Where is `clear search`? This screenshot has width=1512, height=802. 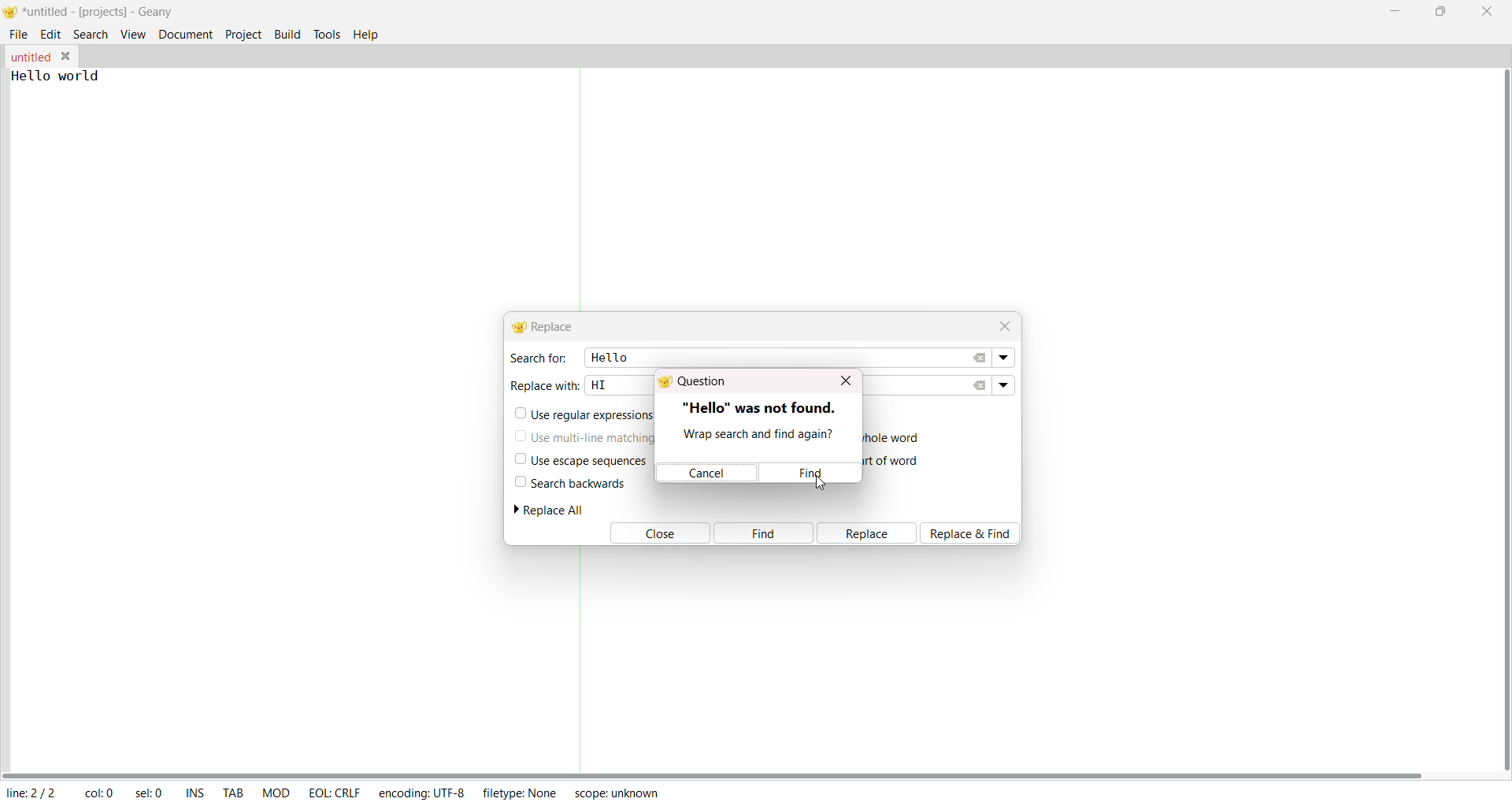
clear search is located at coordinates (980, 358).